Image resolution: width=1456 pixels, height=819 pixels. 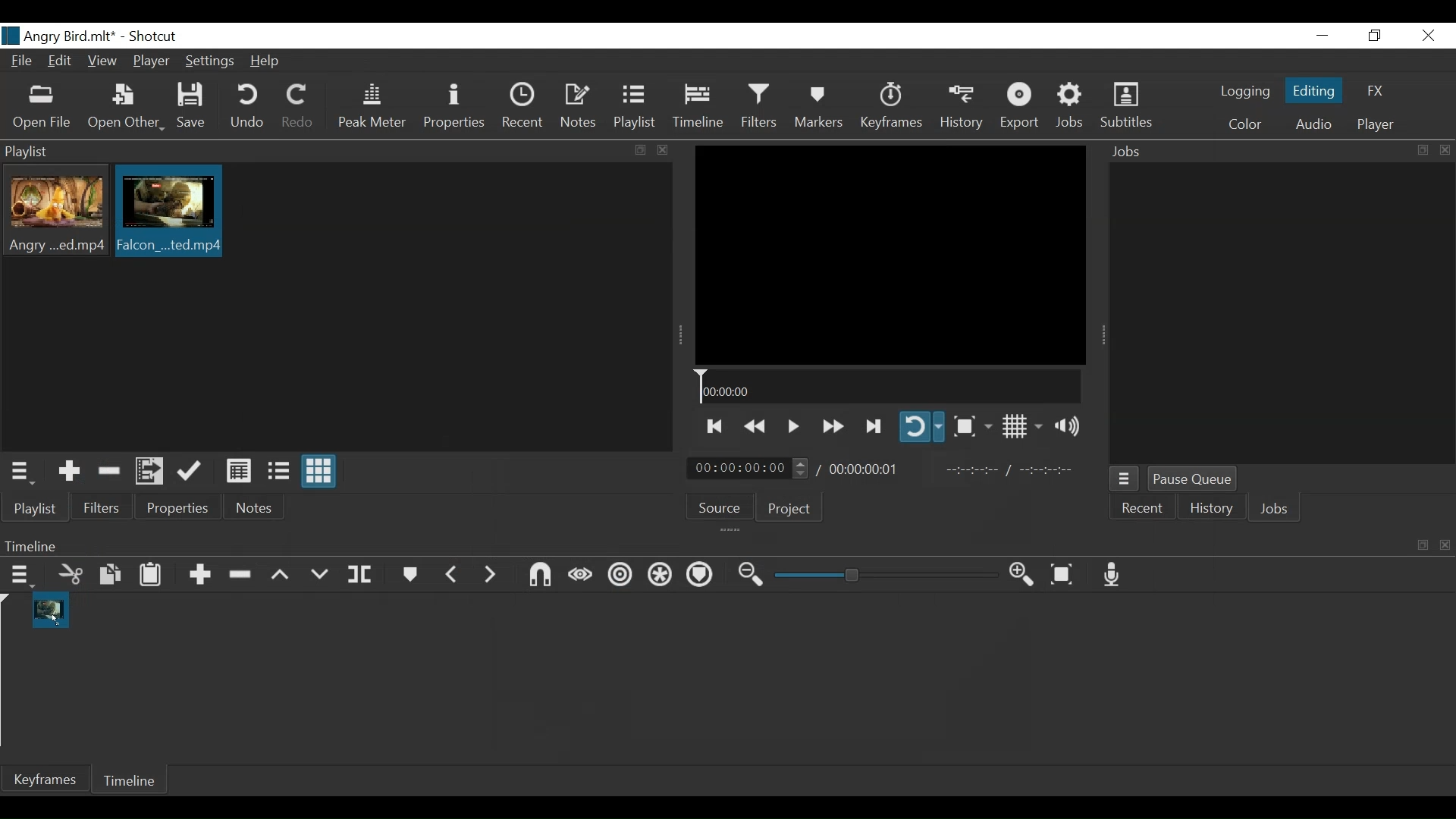 What do you see at coordinates (886, 388) in the screenshot?
I see `Timeline` at bounding box center [886, 388].